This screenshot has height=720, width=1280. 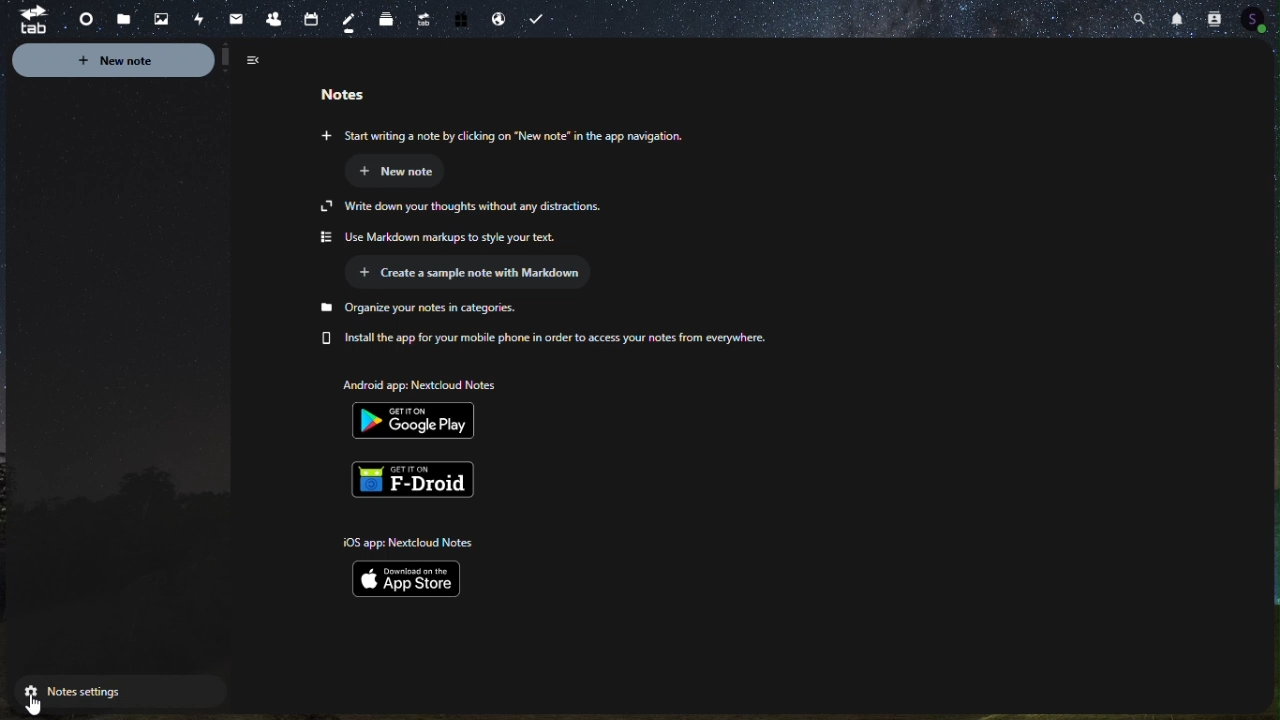 I want to click on Androxd app: Nextcioud Notes., so click(x=433, y=385).